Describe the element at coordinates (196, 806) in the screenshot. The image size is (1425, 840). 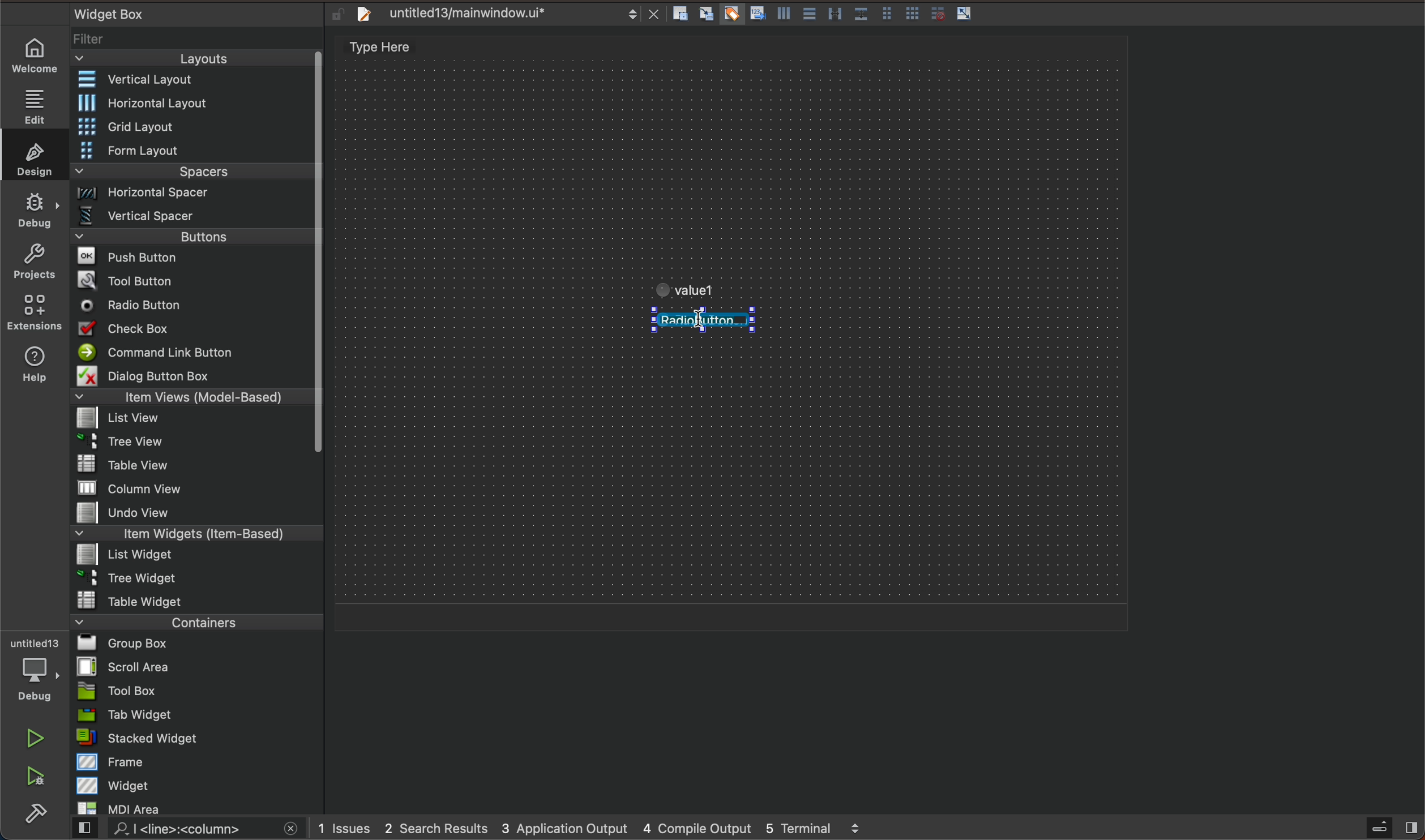
I see `mdi area` at that location.